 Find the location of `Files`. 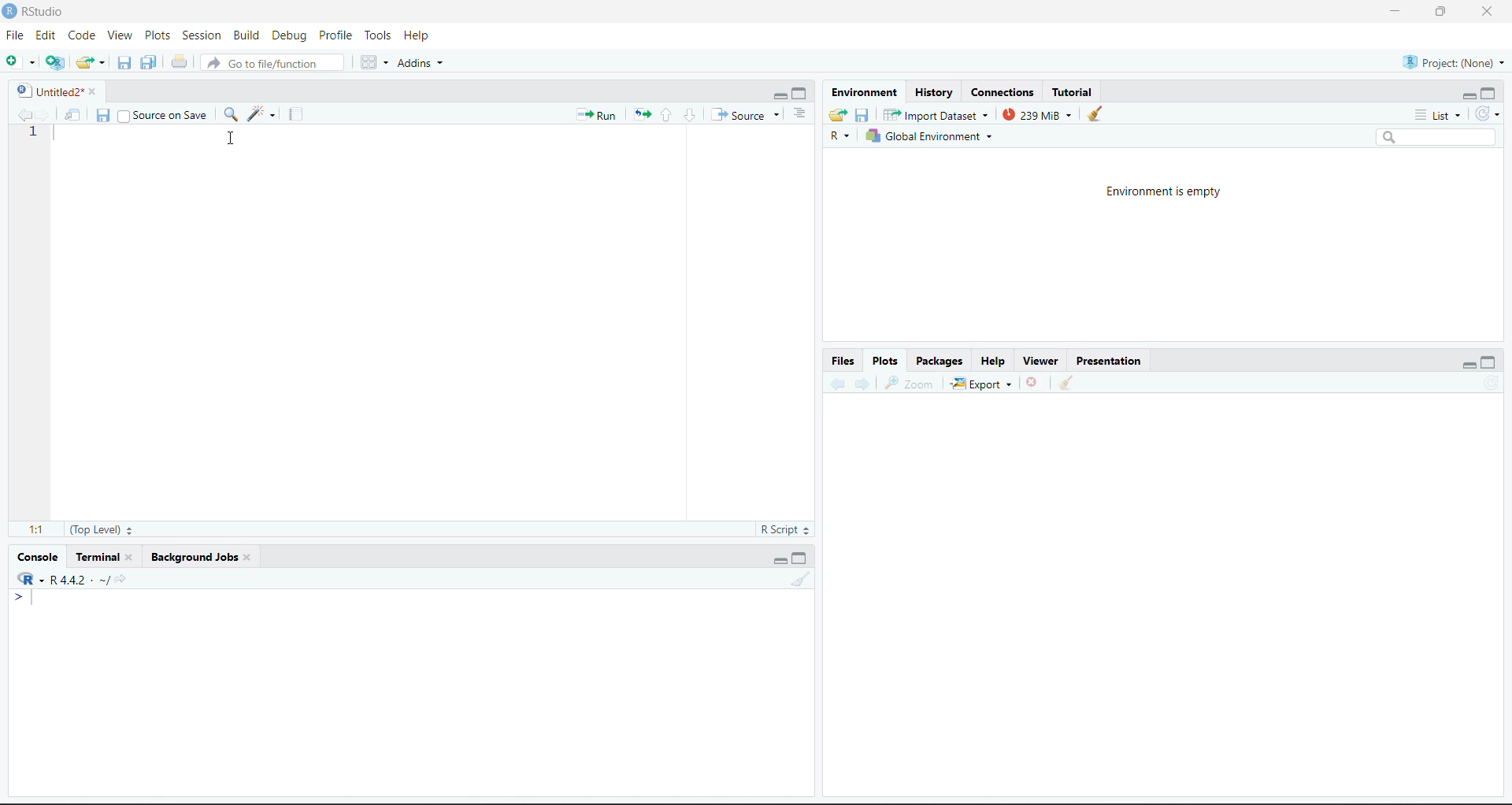

Files is located at coordinates (843, 359).